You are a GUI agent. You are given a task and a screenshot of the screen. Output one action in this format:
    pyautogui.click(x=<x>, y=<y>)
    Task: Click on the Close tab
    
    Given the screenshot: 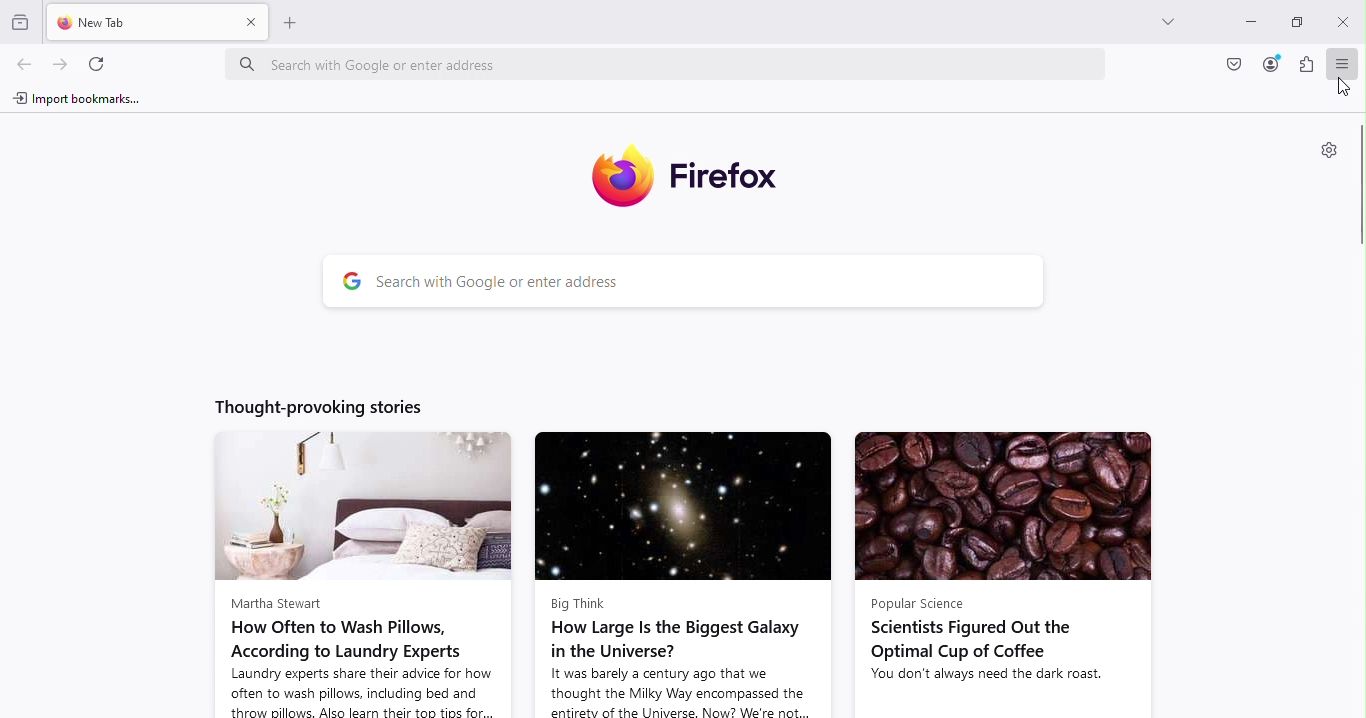 What is the action you would take?
    pyautogui.click(x=249, y=23)
    